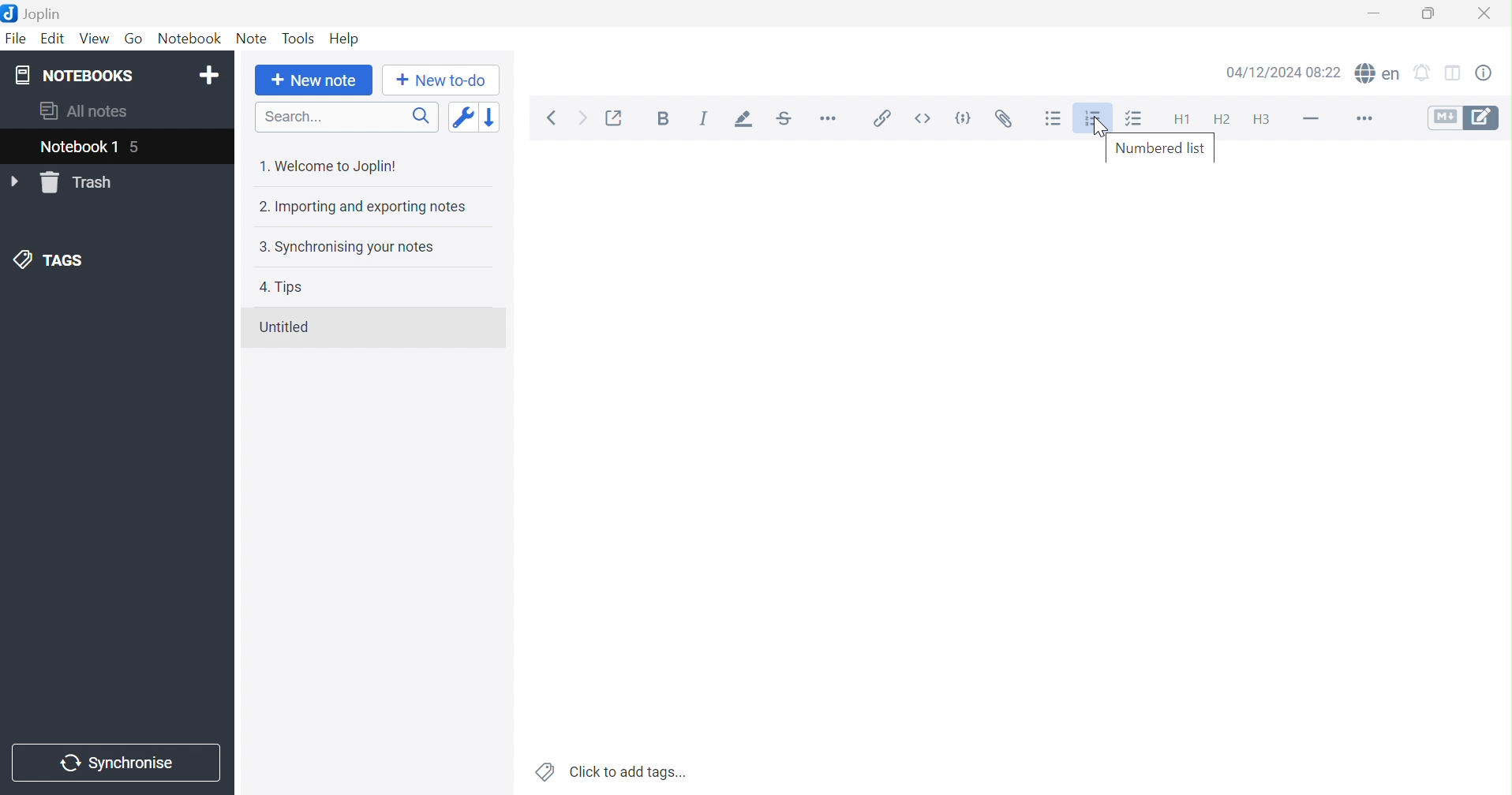 This screenshot has width=1512, height=795. Describe the element at coordinates (462, 118) in the screenshot. I see `Toggle reverse order field` at that location.